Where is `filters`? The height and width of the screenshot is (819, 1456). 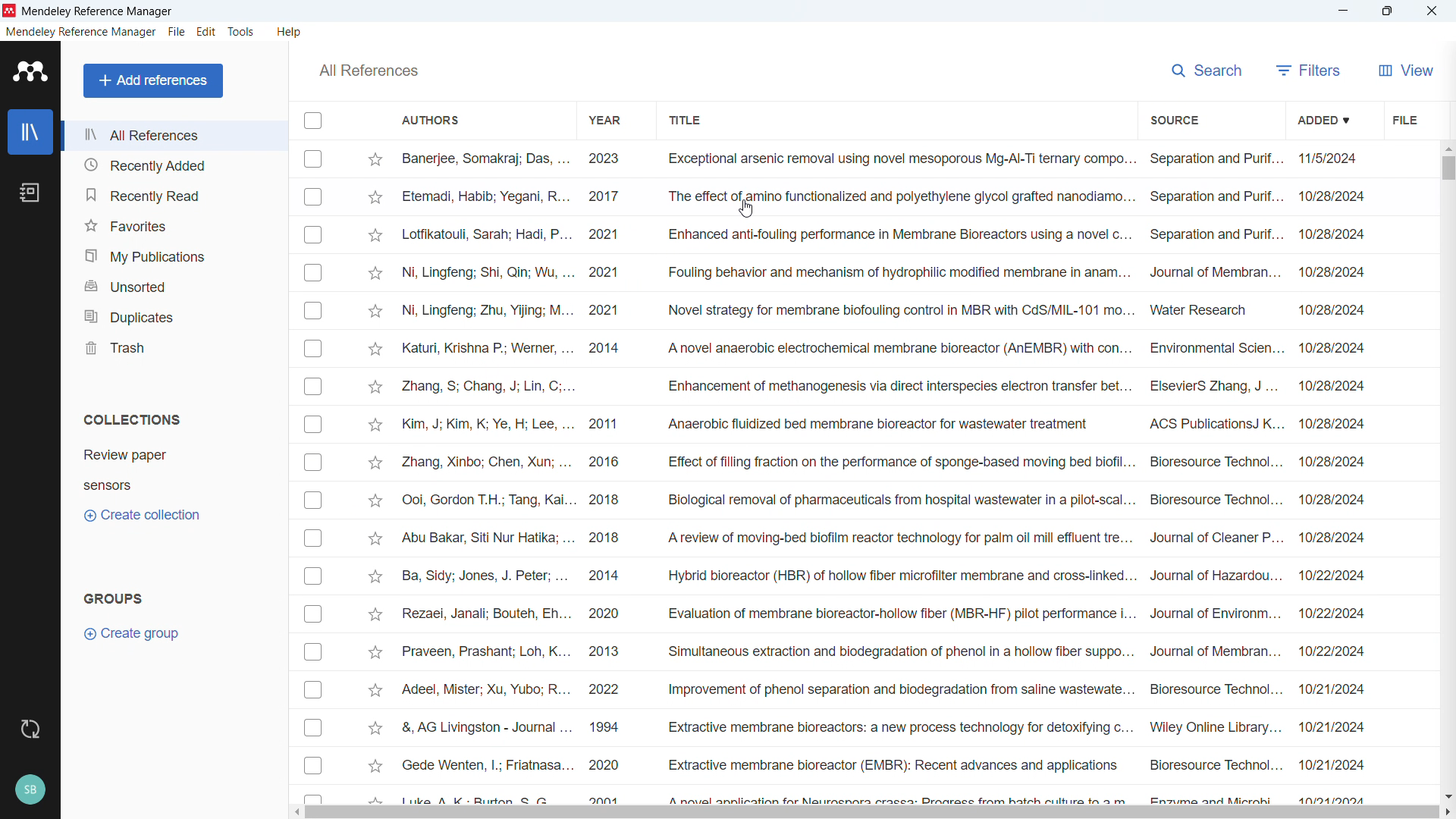 filters is located at coordinates (1309, 71).